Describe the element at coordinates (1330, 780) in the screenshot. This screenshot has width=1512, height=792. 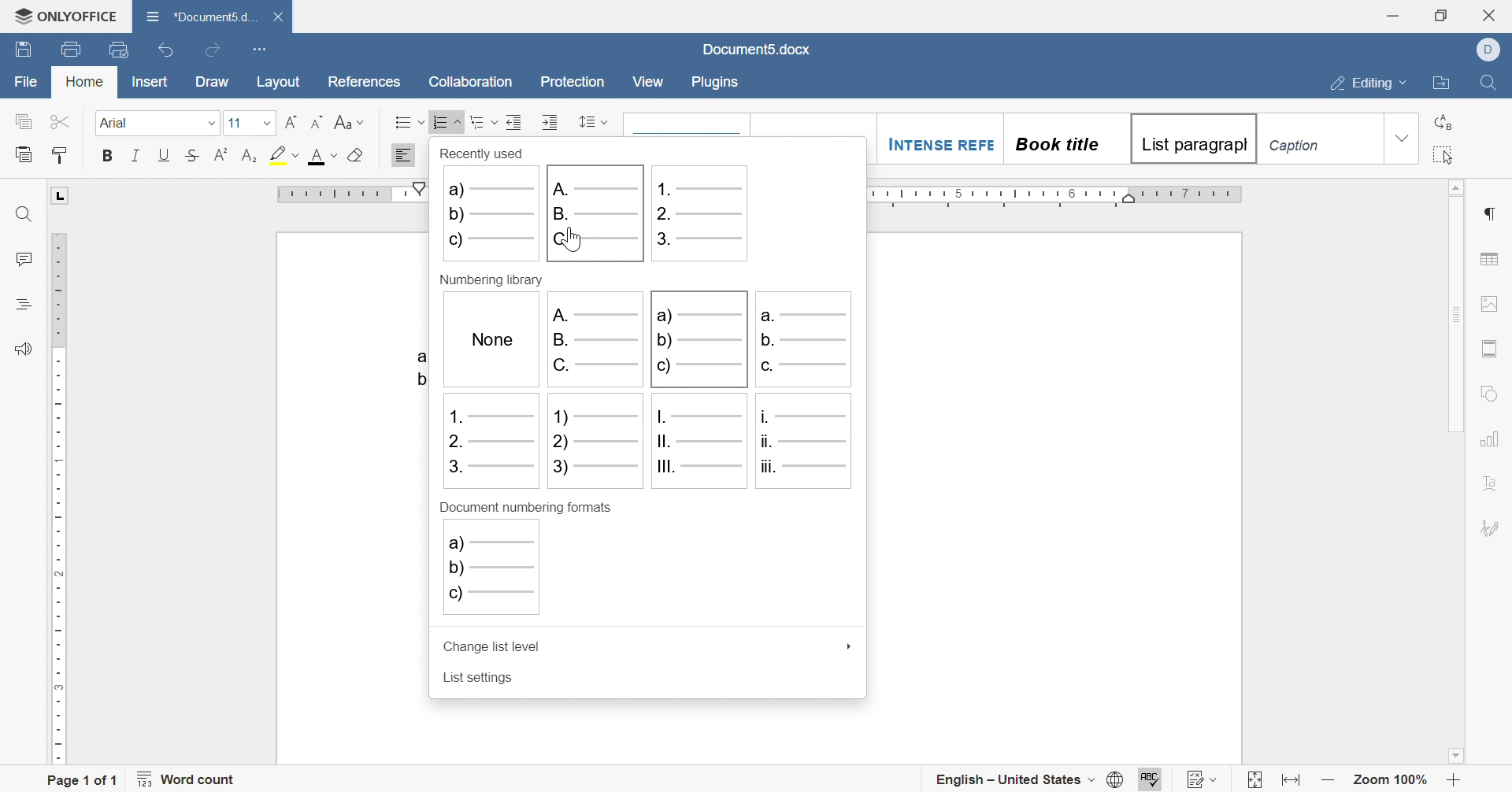
I see `zoom out` at that location.